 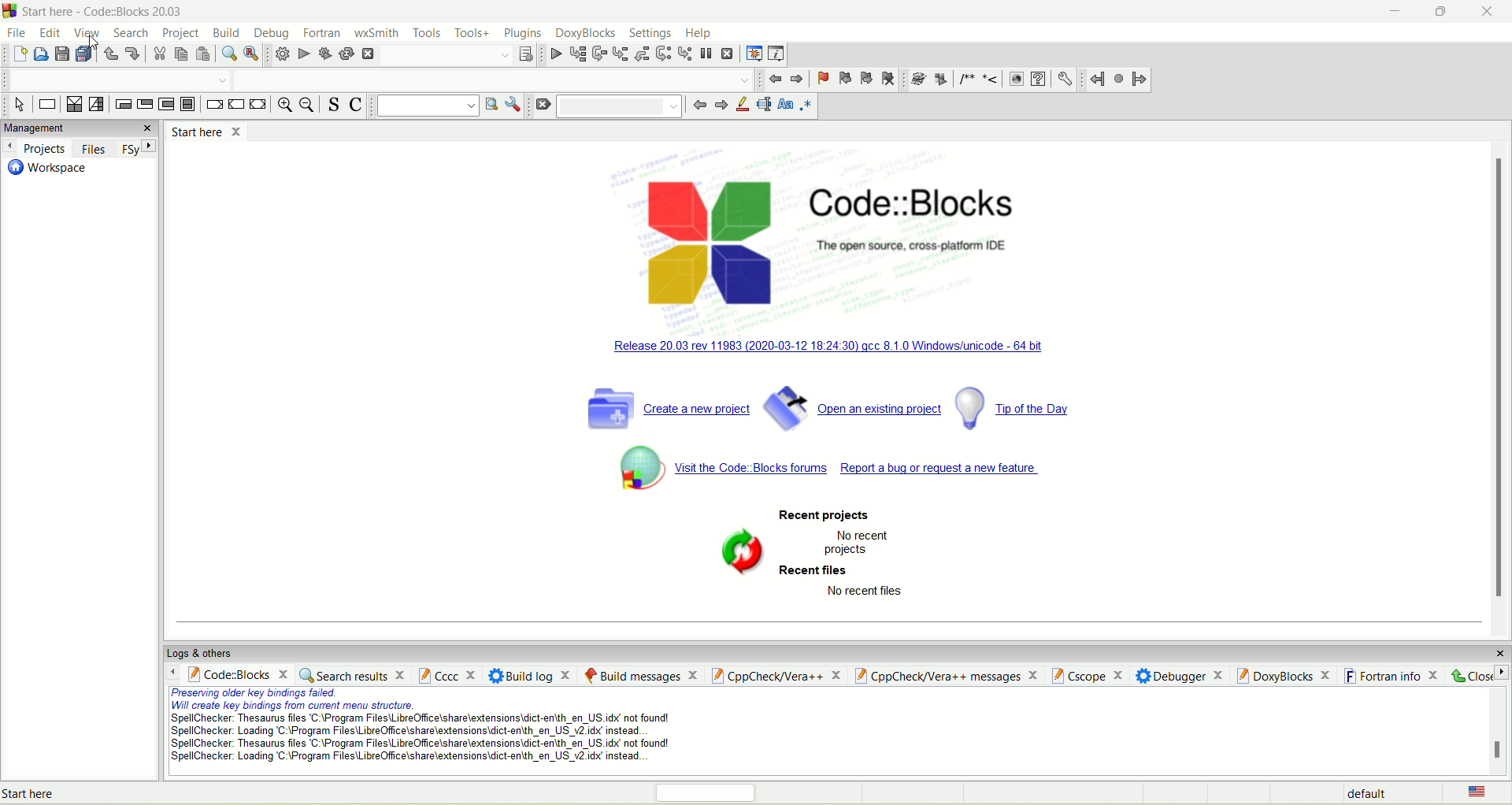 I want to click on CppCheck/Vera++, so click(x=775, y=677).